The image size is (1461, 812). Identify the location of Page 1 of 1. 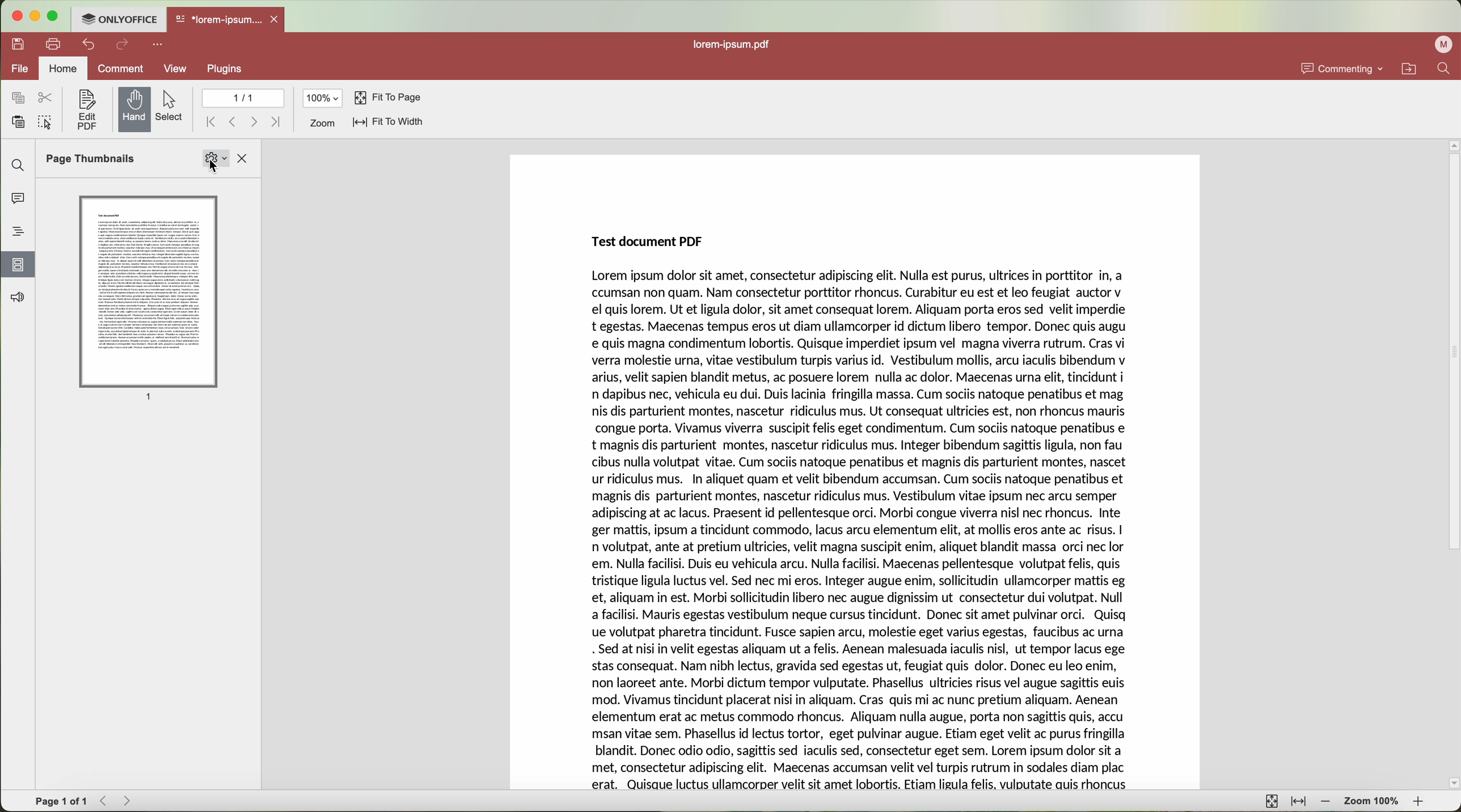
(60, 801).